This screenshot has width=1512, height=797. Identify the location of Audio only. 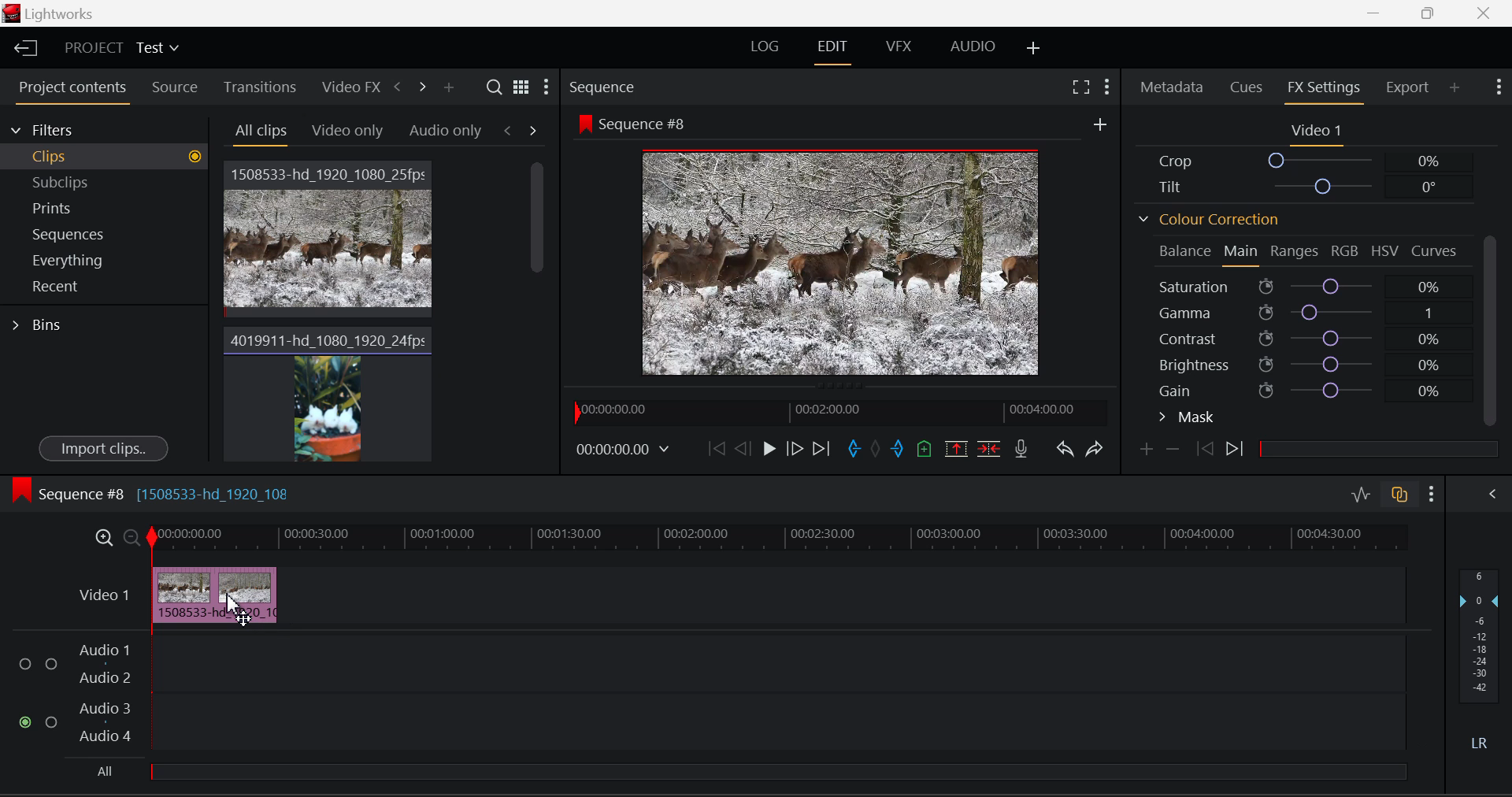
(445, 132).